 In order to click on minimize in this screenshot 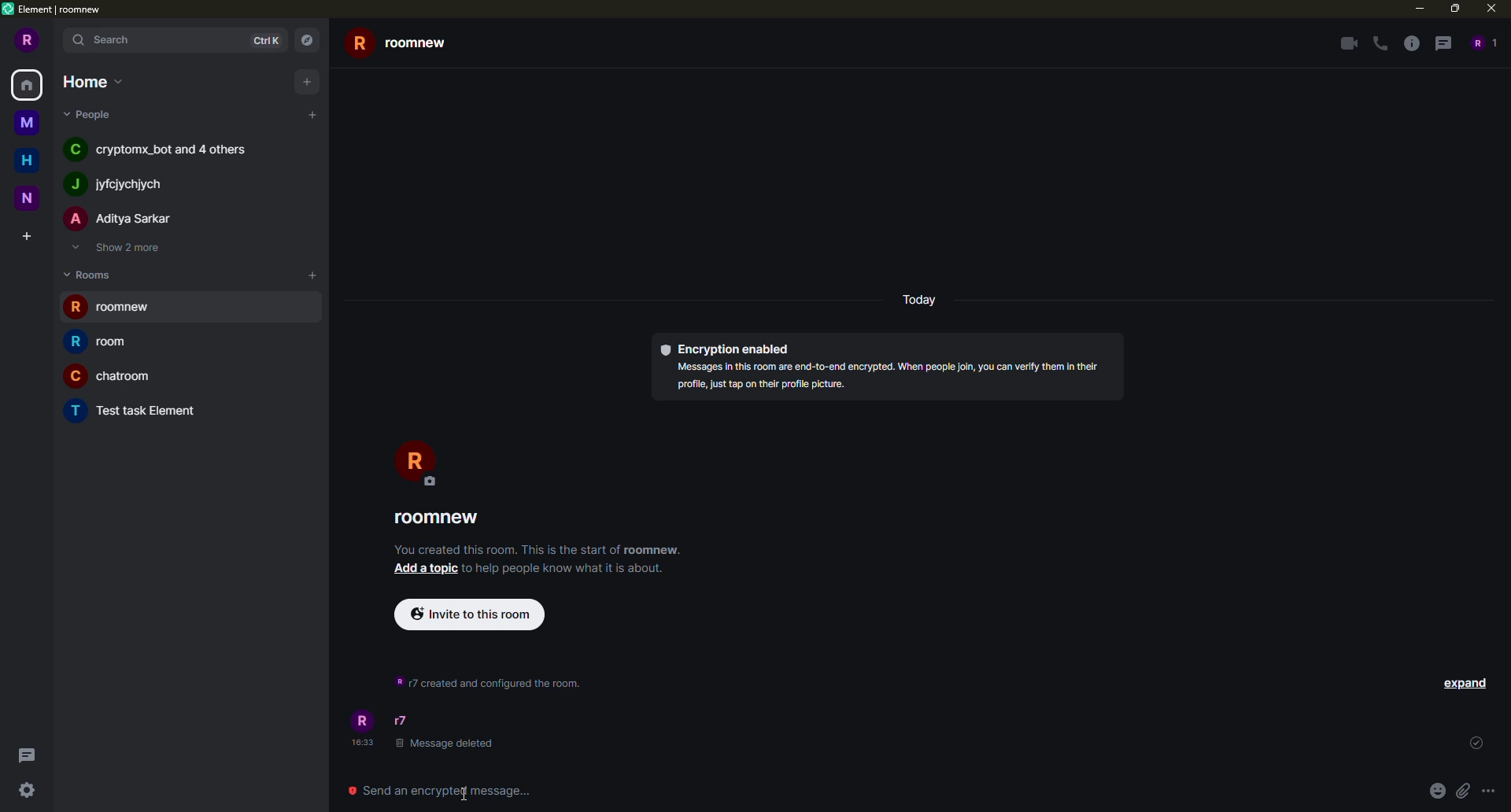, I will do `click(1417, 8)`.